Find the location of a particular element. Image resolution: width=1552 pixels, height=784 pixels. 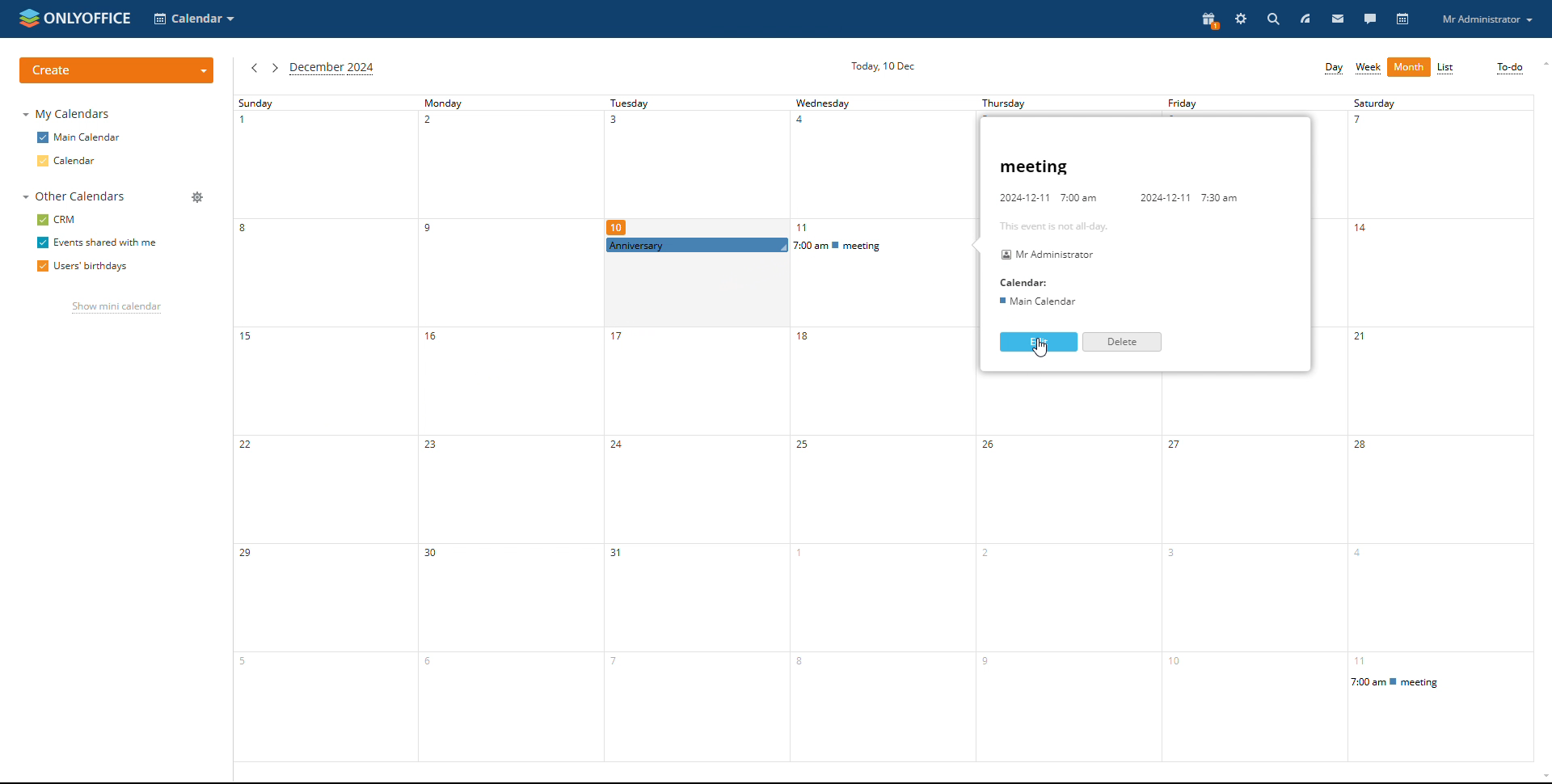

edit is located at coordinates (1038, 342).